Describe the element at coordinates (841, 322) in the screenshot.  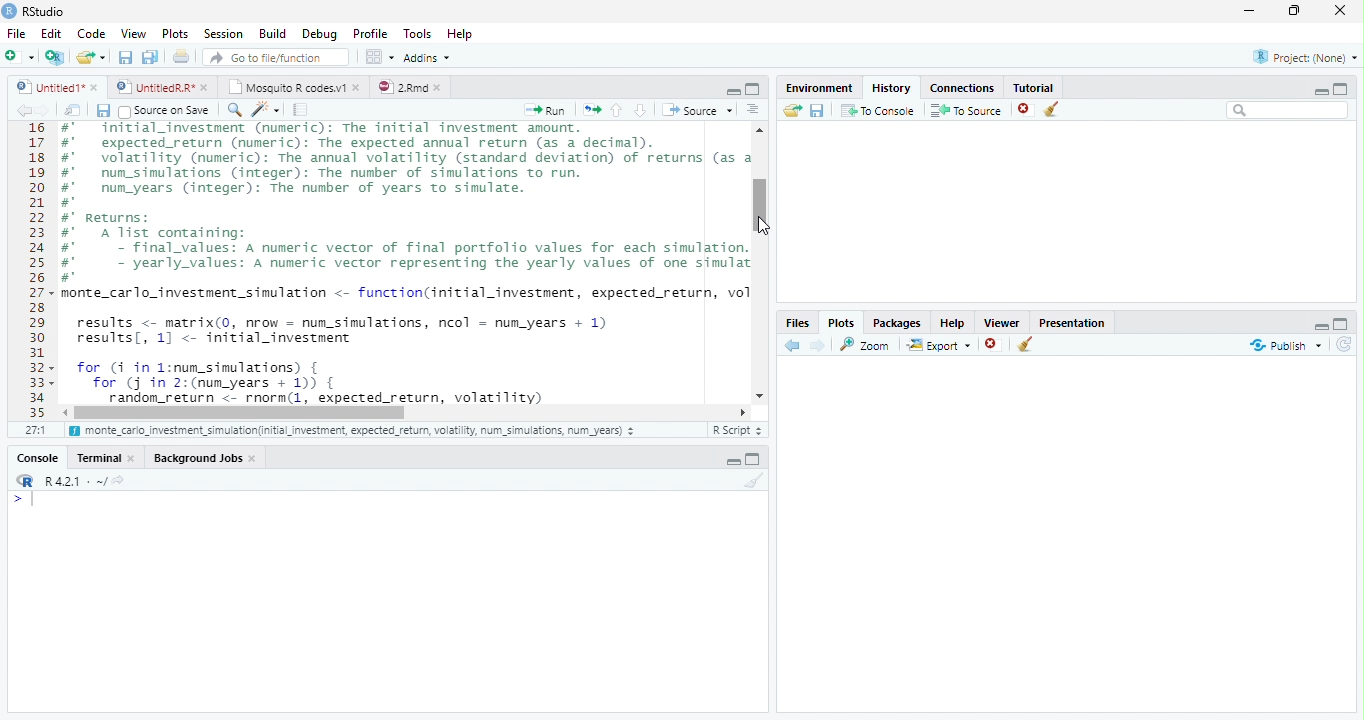
I see `Plots` at that location.